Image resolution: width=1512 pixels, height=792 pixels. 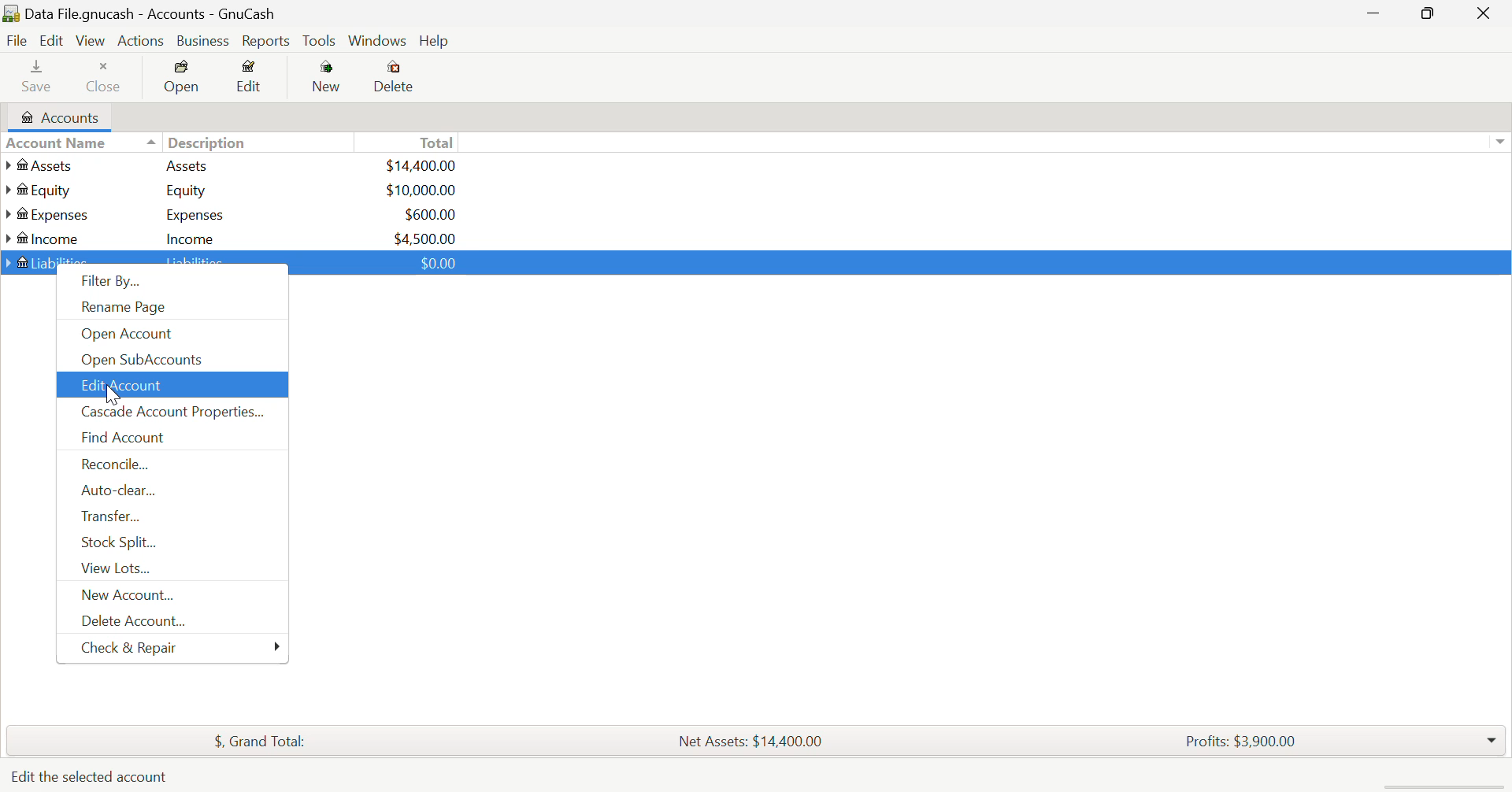 What do you see at coordinates (42, 165) in the screenshot?
I see `Assets Account` at bounding box center [42, 165].